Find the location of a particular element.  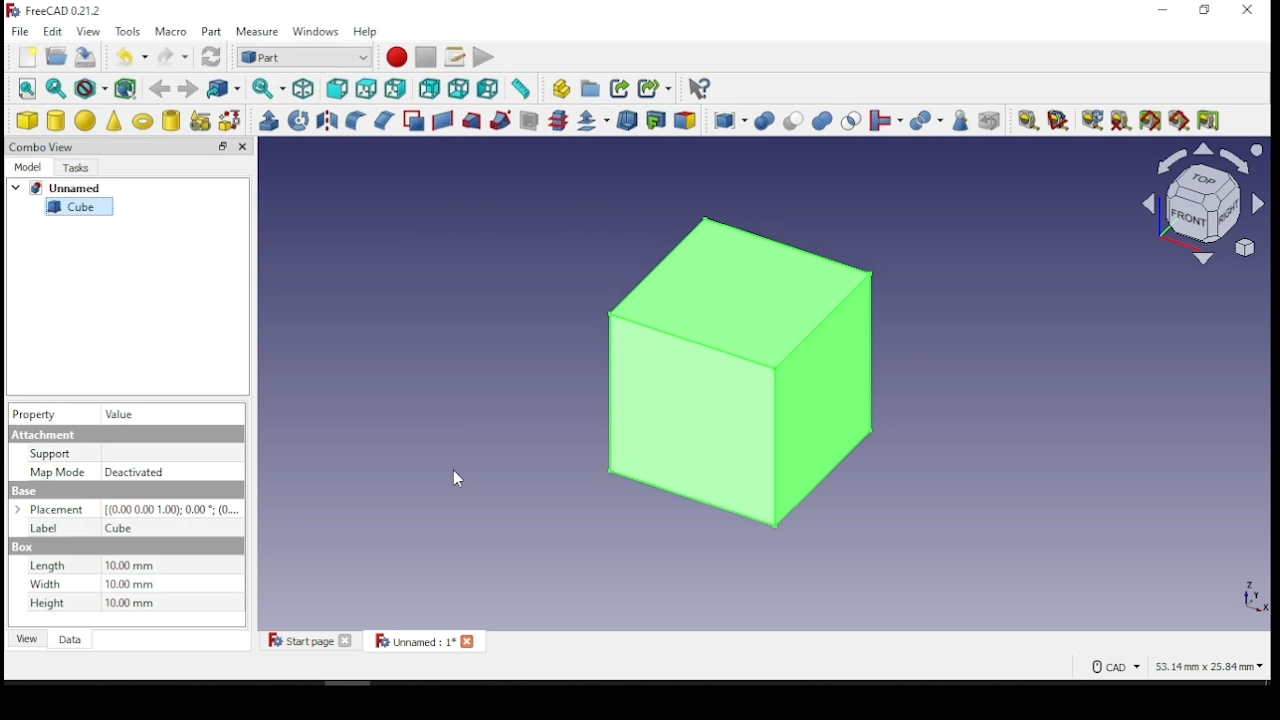

fit selection is located at coordinates (56, 88).